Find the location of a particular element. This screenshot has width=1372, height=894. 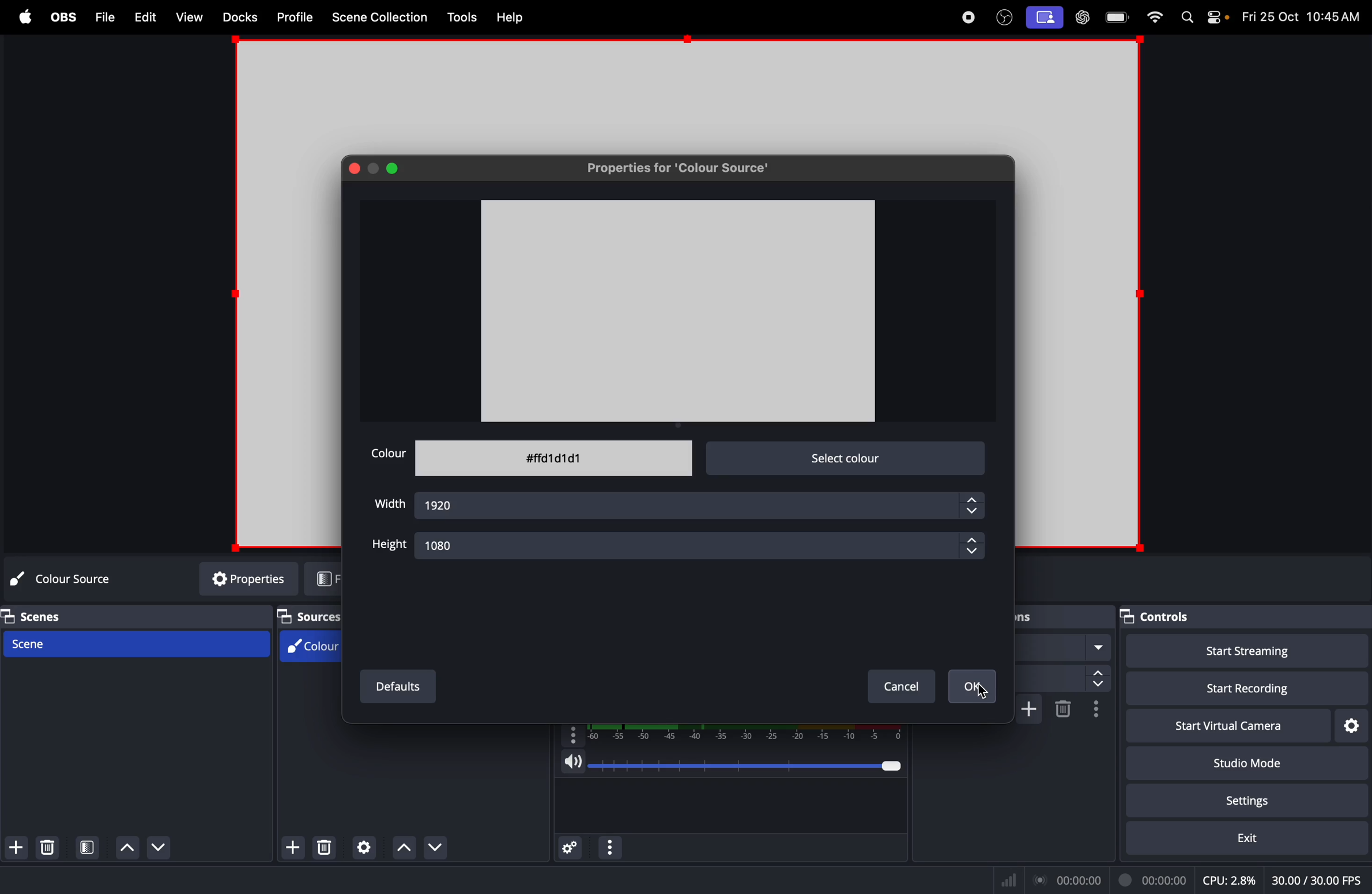

1080 is located at coordinates (685, 546).